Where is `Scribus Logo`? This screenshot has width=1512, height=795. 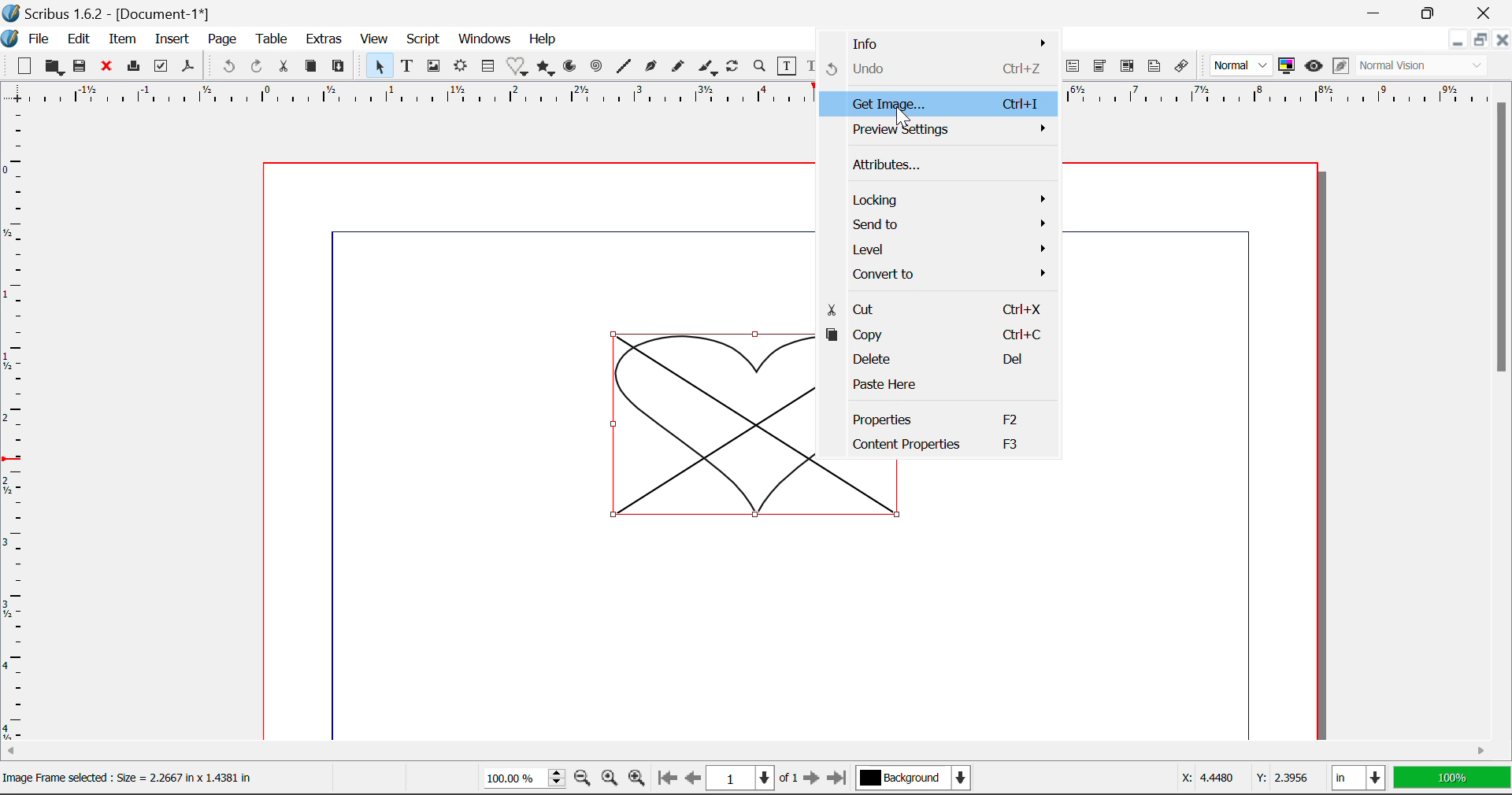 Scribus Logo is located at coordinates (9, 39).